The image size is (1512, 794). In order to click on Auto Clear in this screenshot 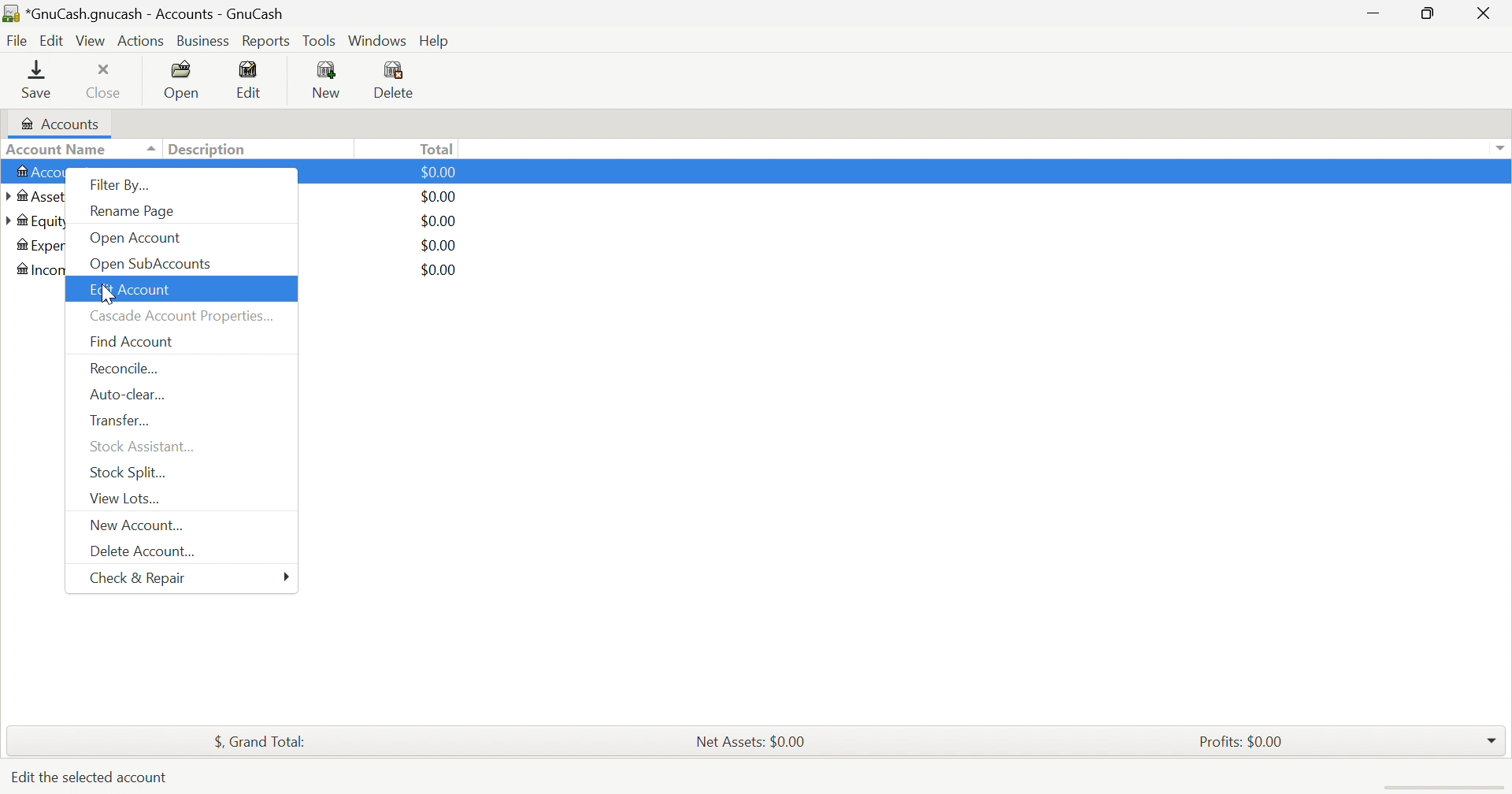, I will do `click(127, 396)`.